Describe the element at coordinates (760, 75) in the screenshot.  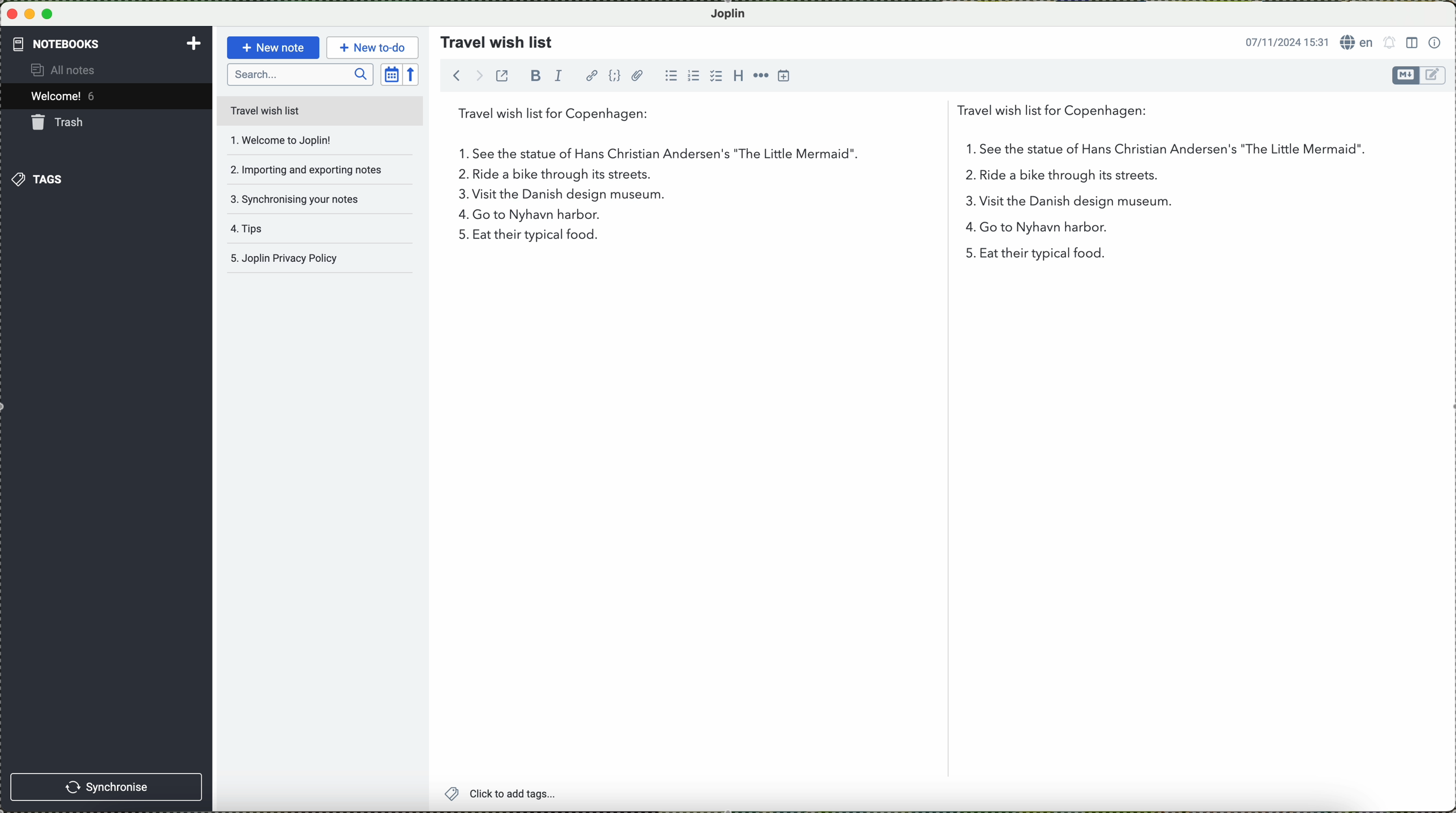
I see `horizontal rule` at that location.